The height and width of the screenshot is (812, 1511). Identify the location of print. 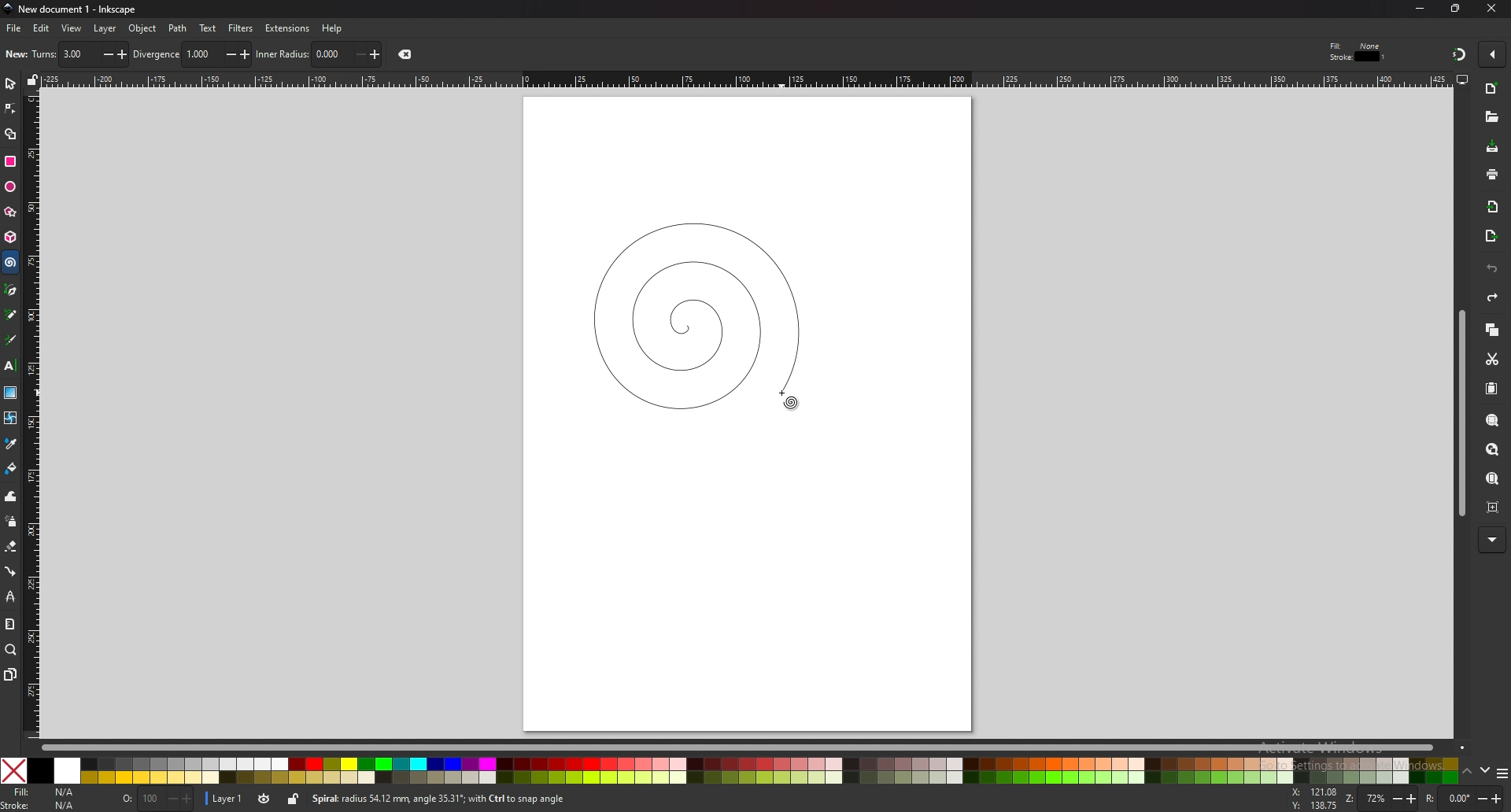
(1491, 174).